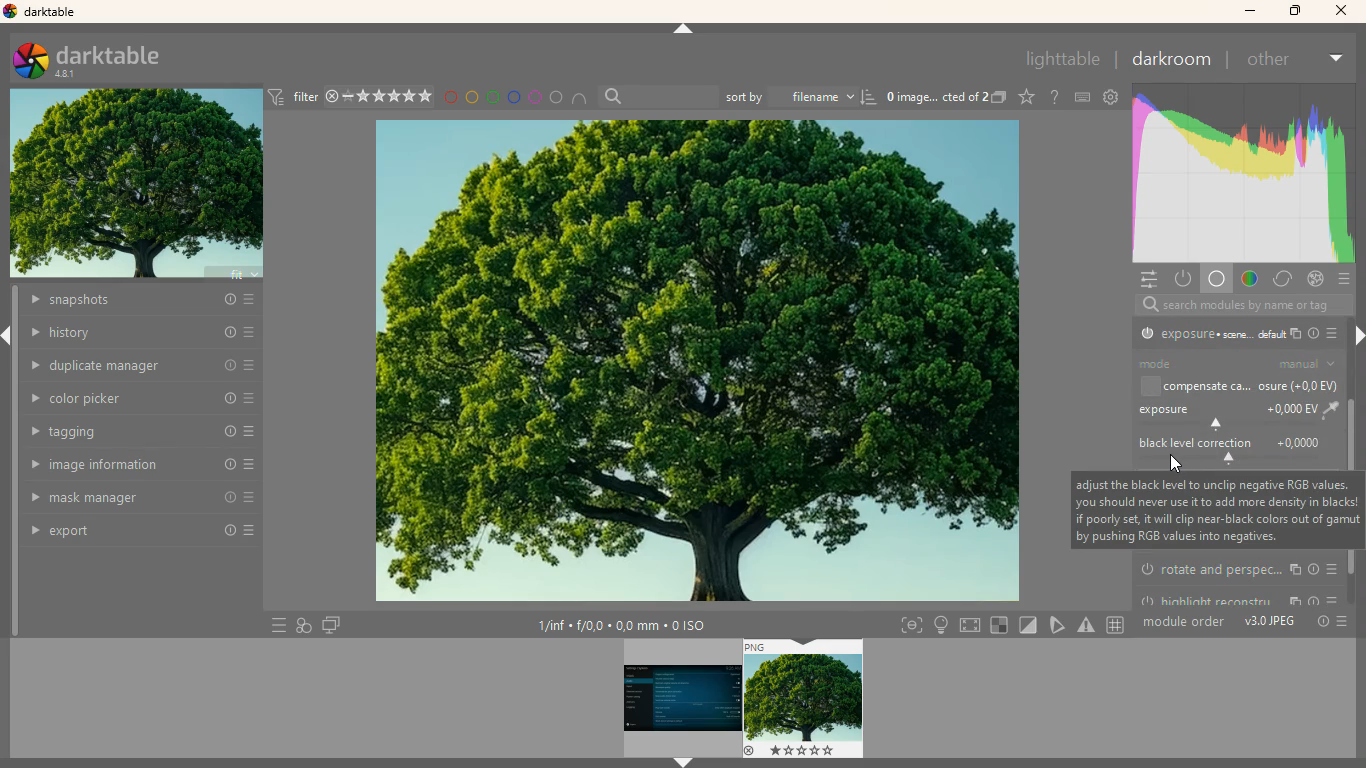 The height and width of the screenshot is (768, 1366). I want to click on sort by filename, so click(799, 97).